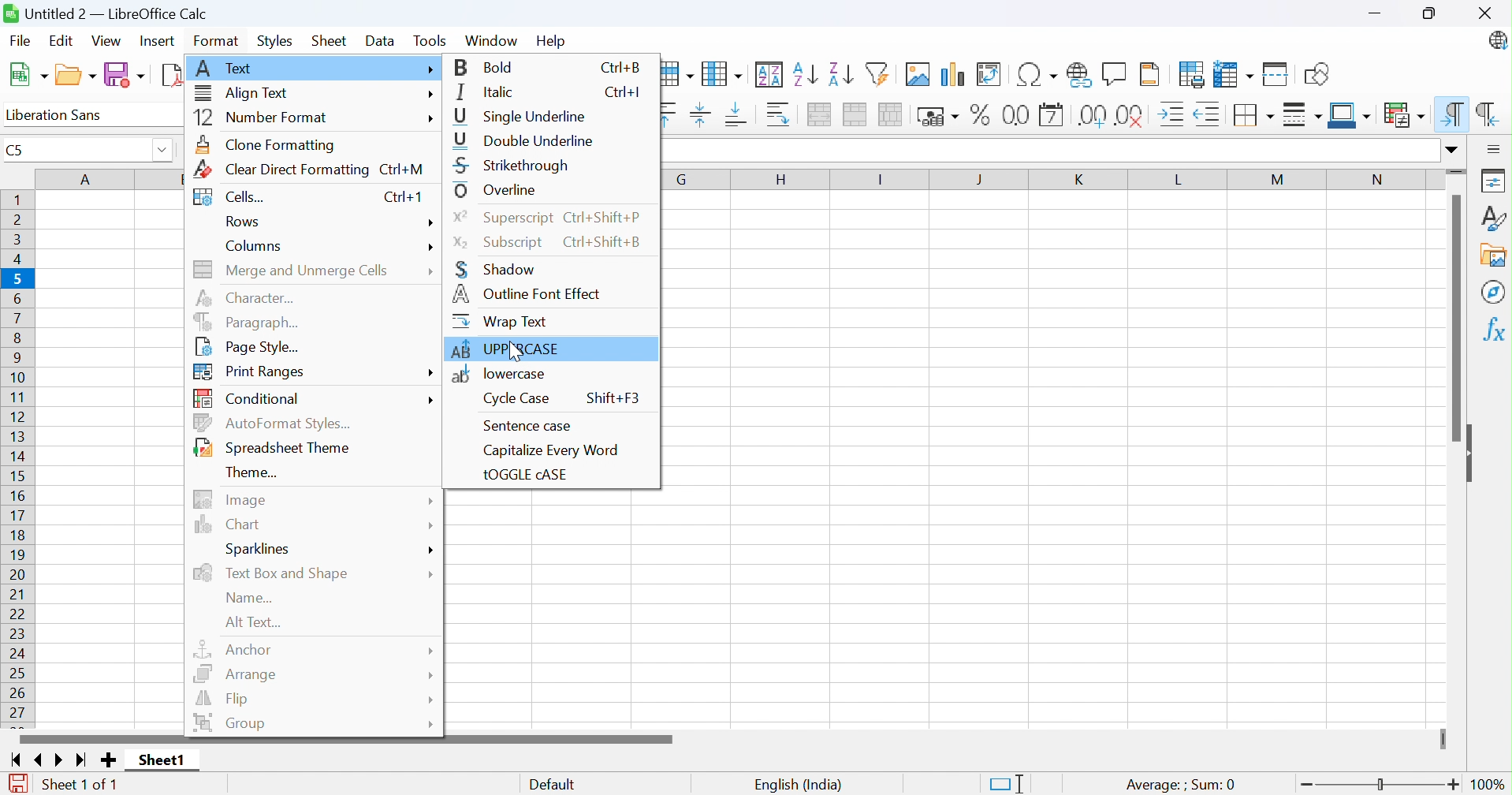 The height and width of the screenshot is (795, 1512). I want to click on Export as PDF, so click(172, 76).